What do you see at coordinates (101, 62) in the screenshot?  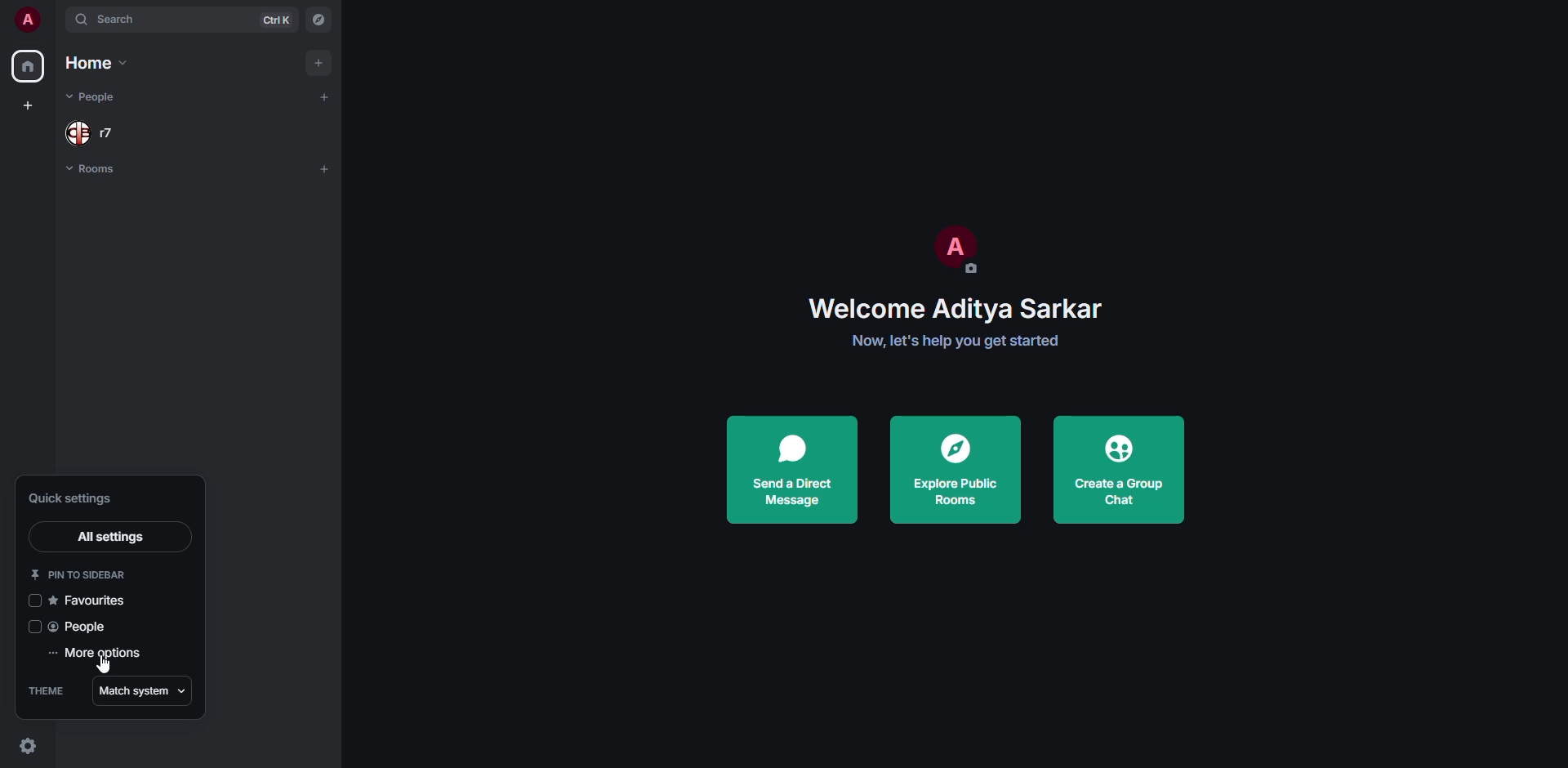 I see `home` at bounding box center [101, 62].